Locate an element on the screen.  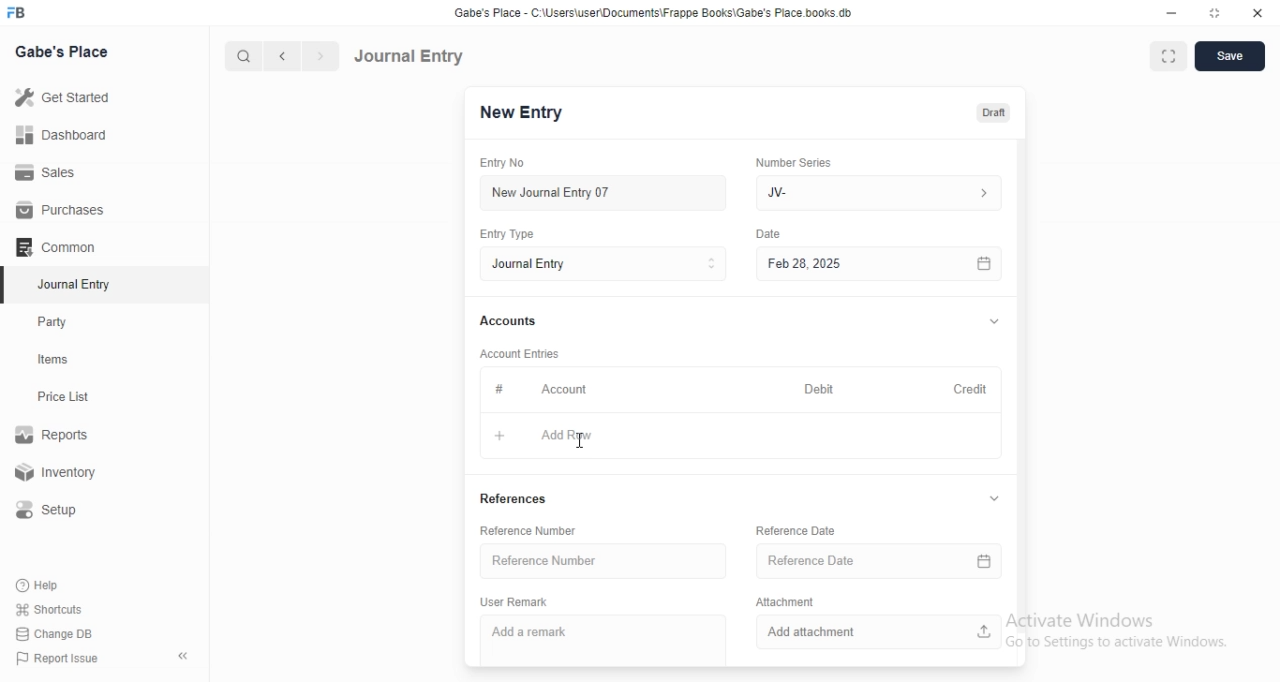
# Account is located at coordinates (537, 389).